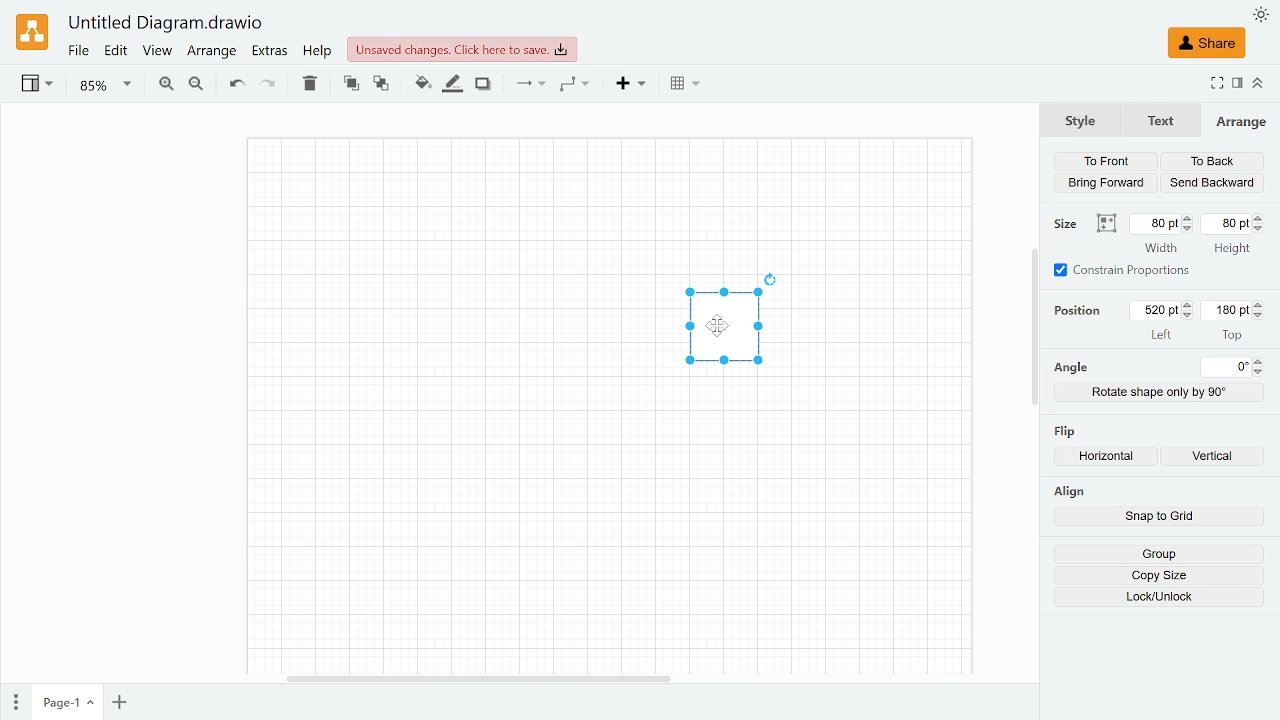  I want to click on Group, so click(1158, 554).